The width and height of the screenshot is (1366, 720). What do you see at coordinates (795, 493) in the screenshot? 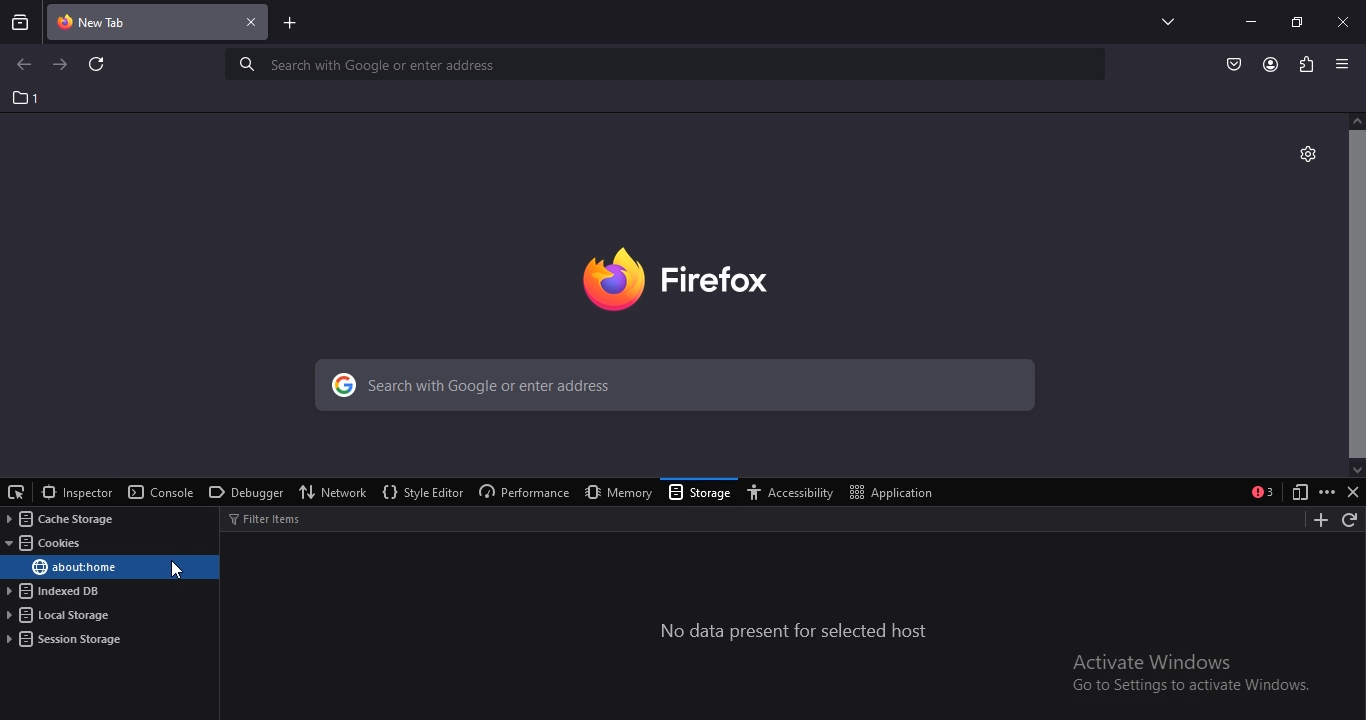
I see `accessibilty` at bounding box center [795, 493].